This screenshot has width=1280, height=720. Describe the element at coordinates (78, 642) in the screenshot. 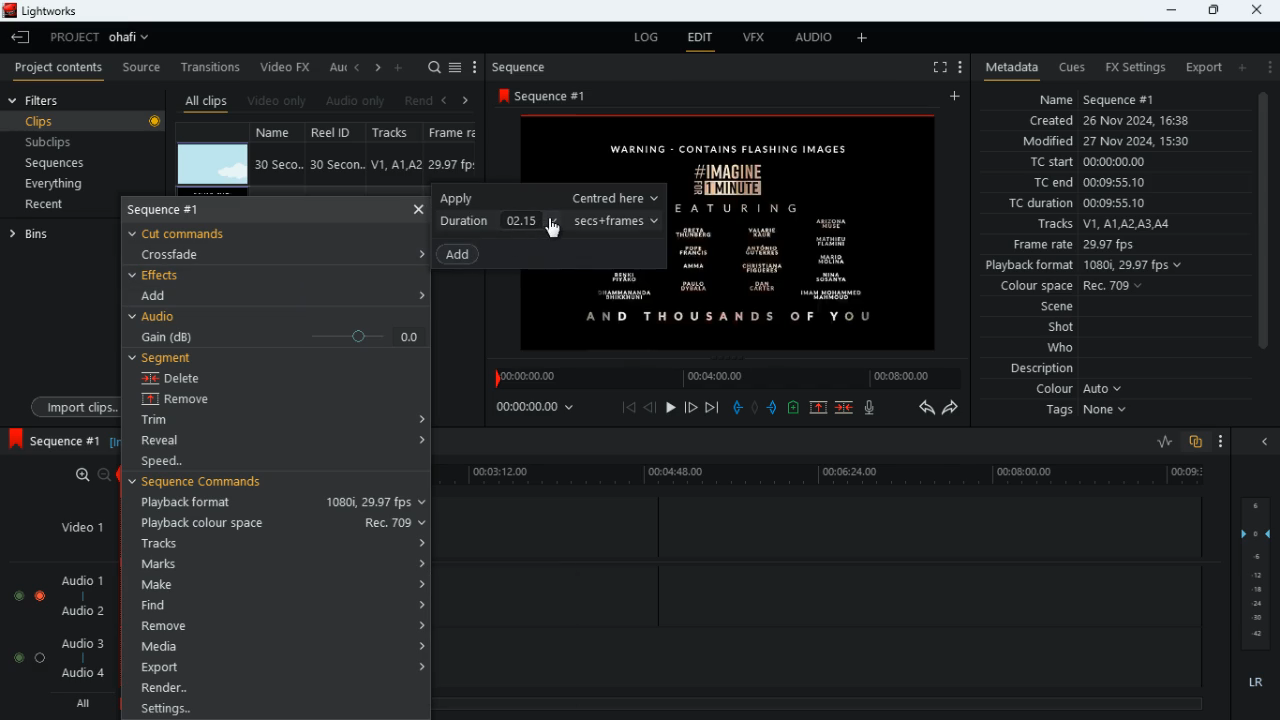

I see `audio 3` at that location.